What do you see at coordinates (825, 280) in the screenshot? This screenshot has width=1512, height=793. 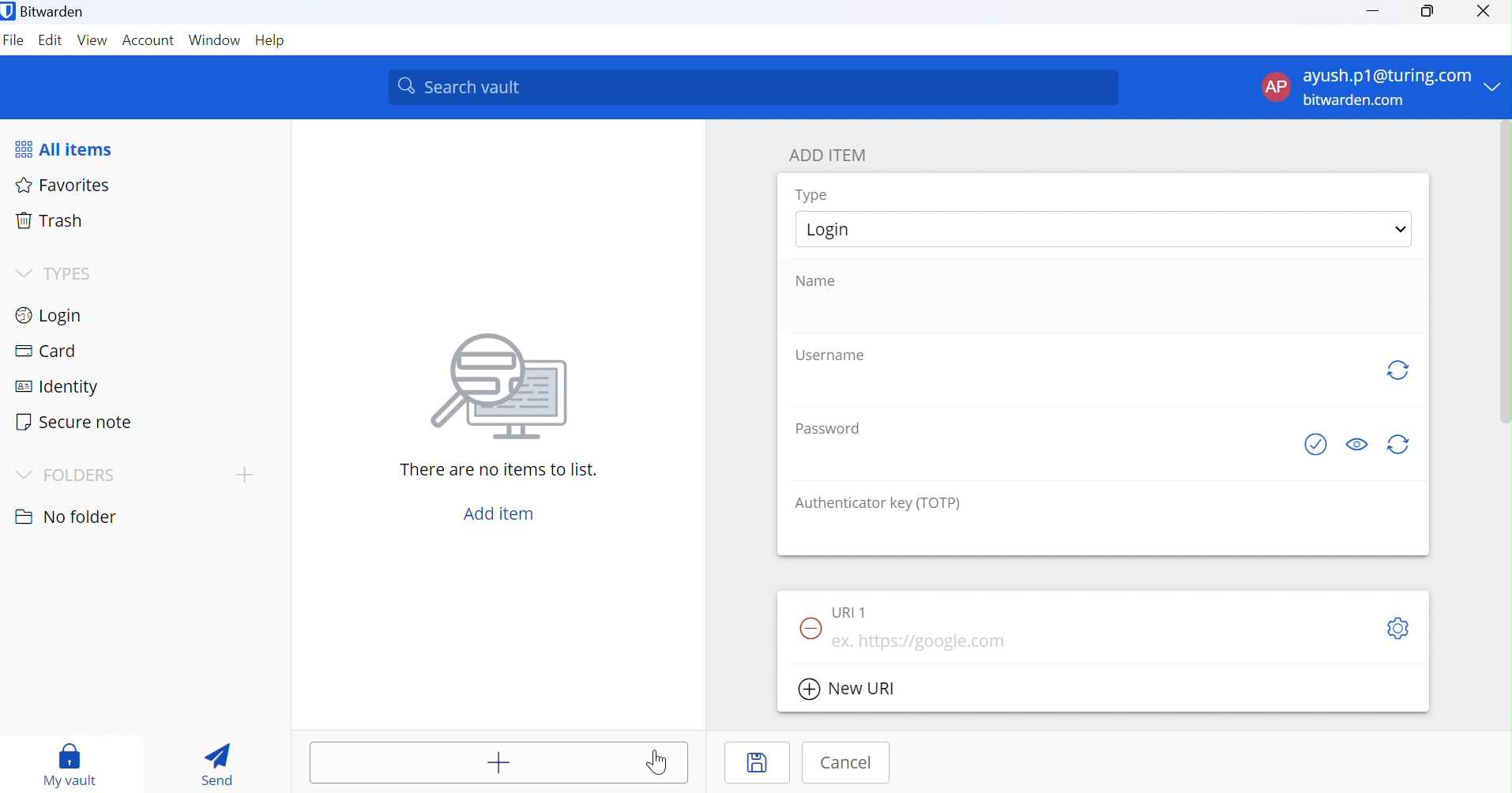 I see `Name` at bounding box center [825, 280].